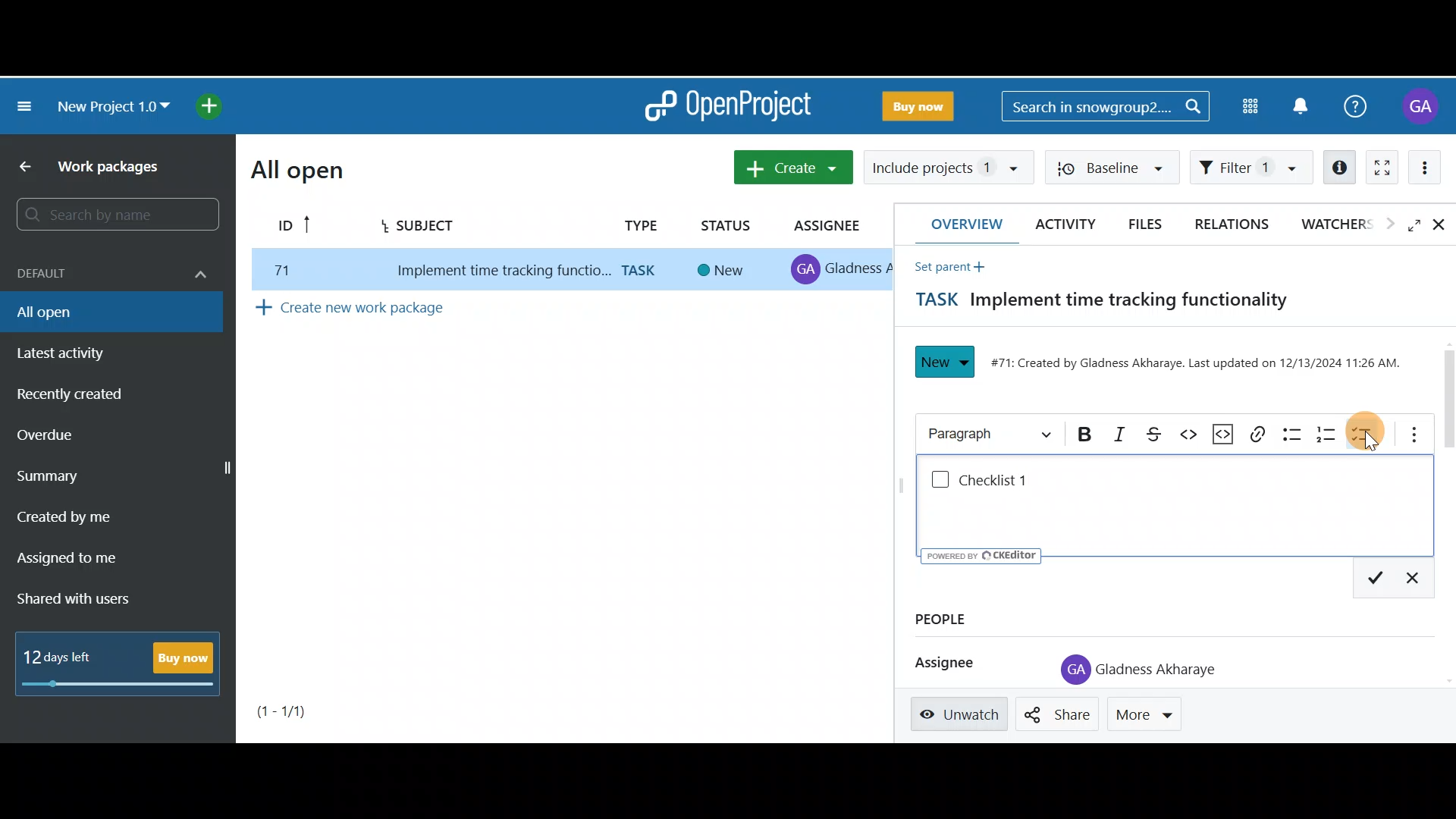 This screenshot has height=819, width=1456. I want to click on Files, so click(1150, 224).